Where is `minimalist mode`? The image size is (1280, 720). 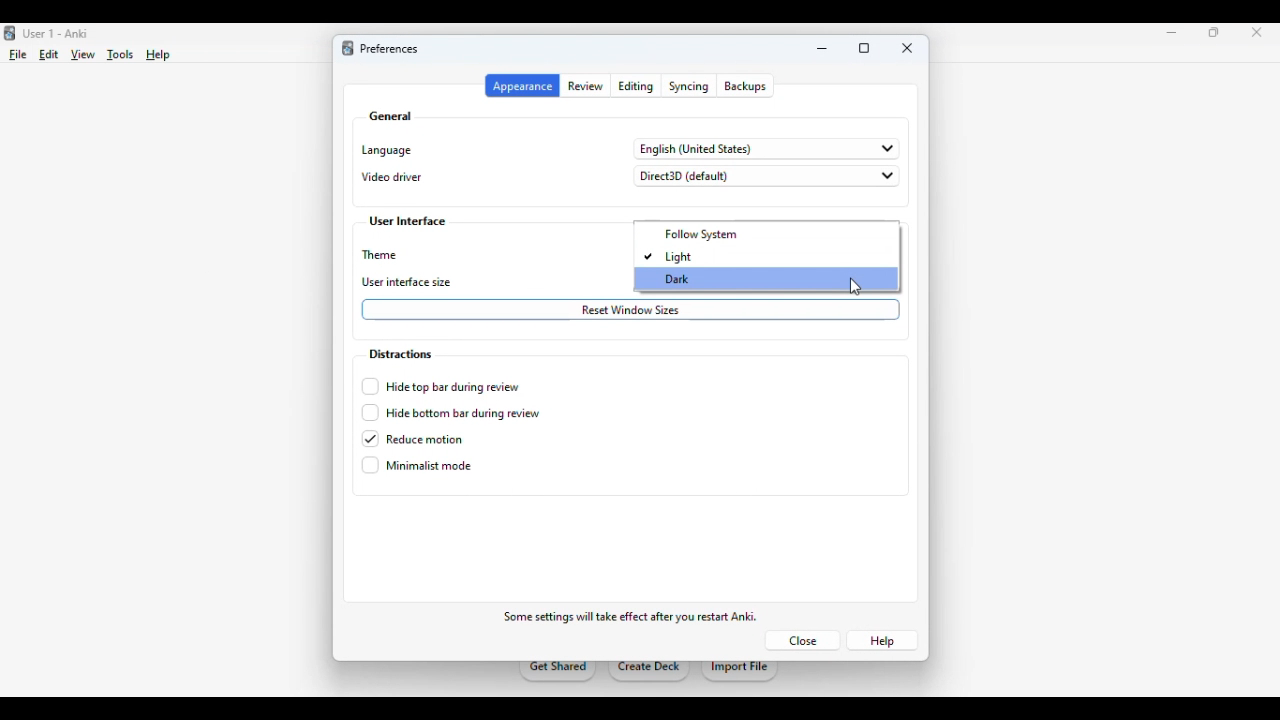
minimalist mode is located at coordinates (417, 465).